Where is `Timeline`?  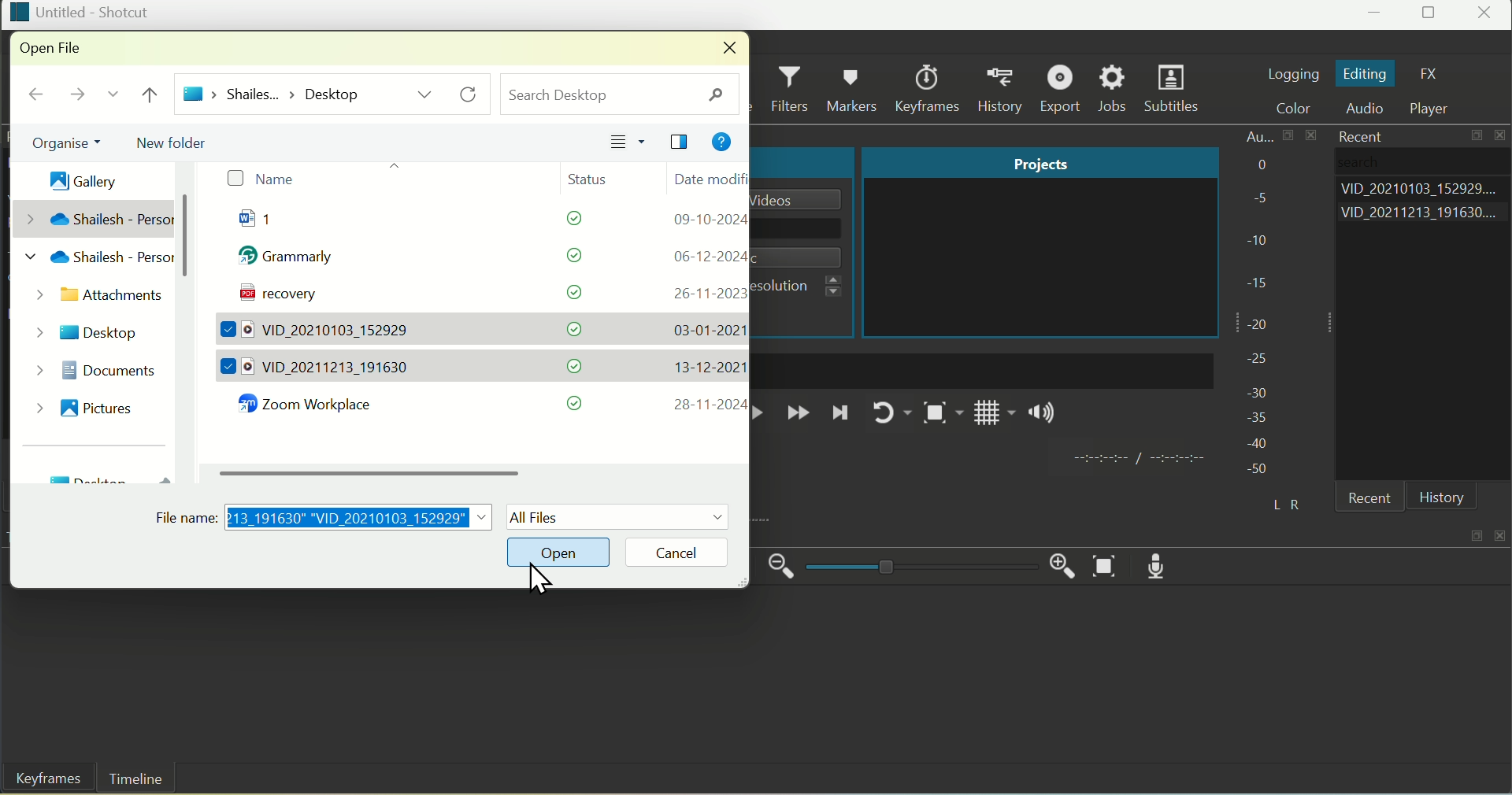
Timeline is located at coordinates (136, 779).